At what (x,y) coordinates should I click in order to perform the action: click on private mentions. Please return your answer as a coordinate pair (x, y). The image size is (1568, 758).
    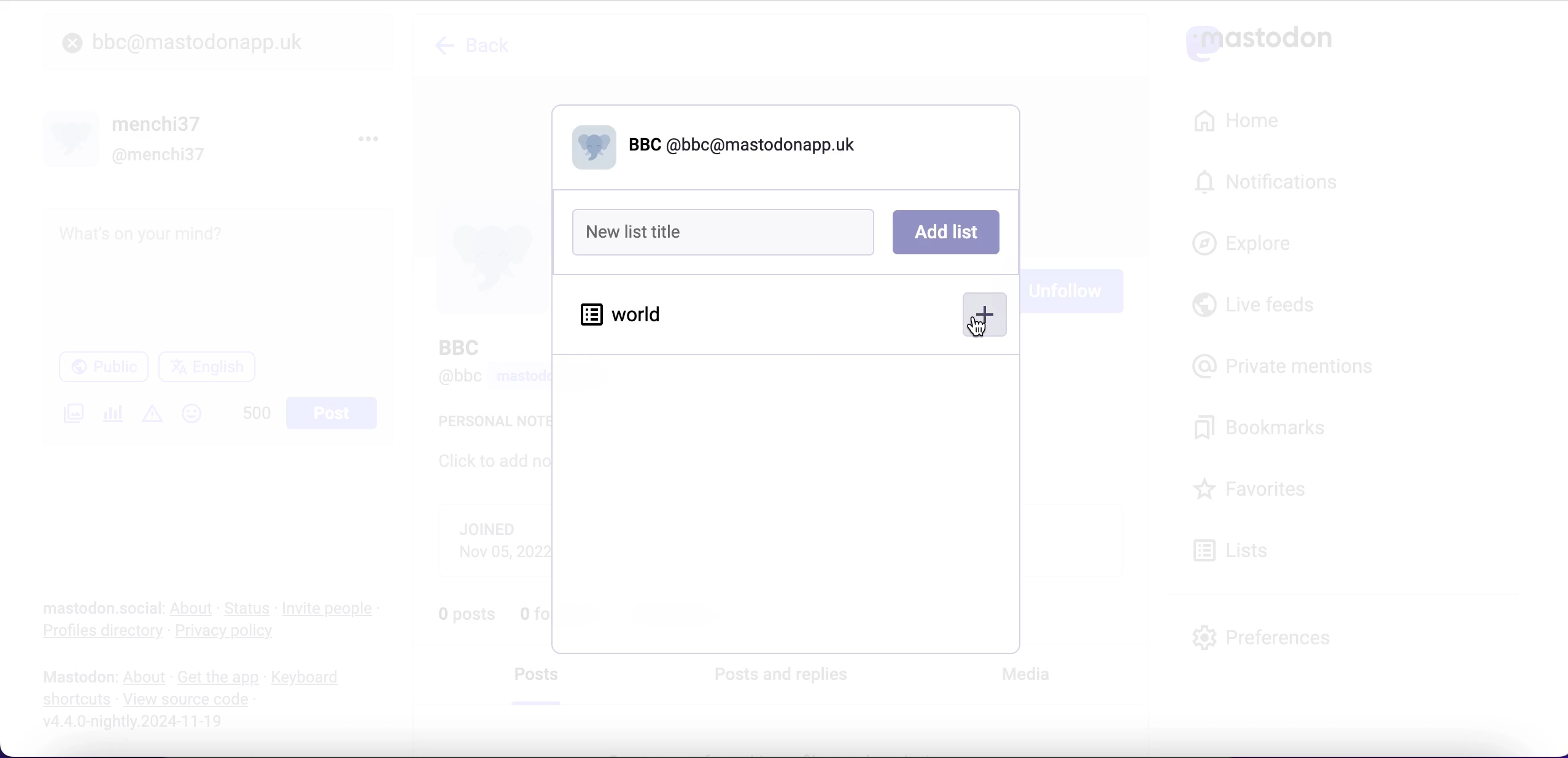
    Looking at the image, I should click on (1287, 363).